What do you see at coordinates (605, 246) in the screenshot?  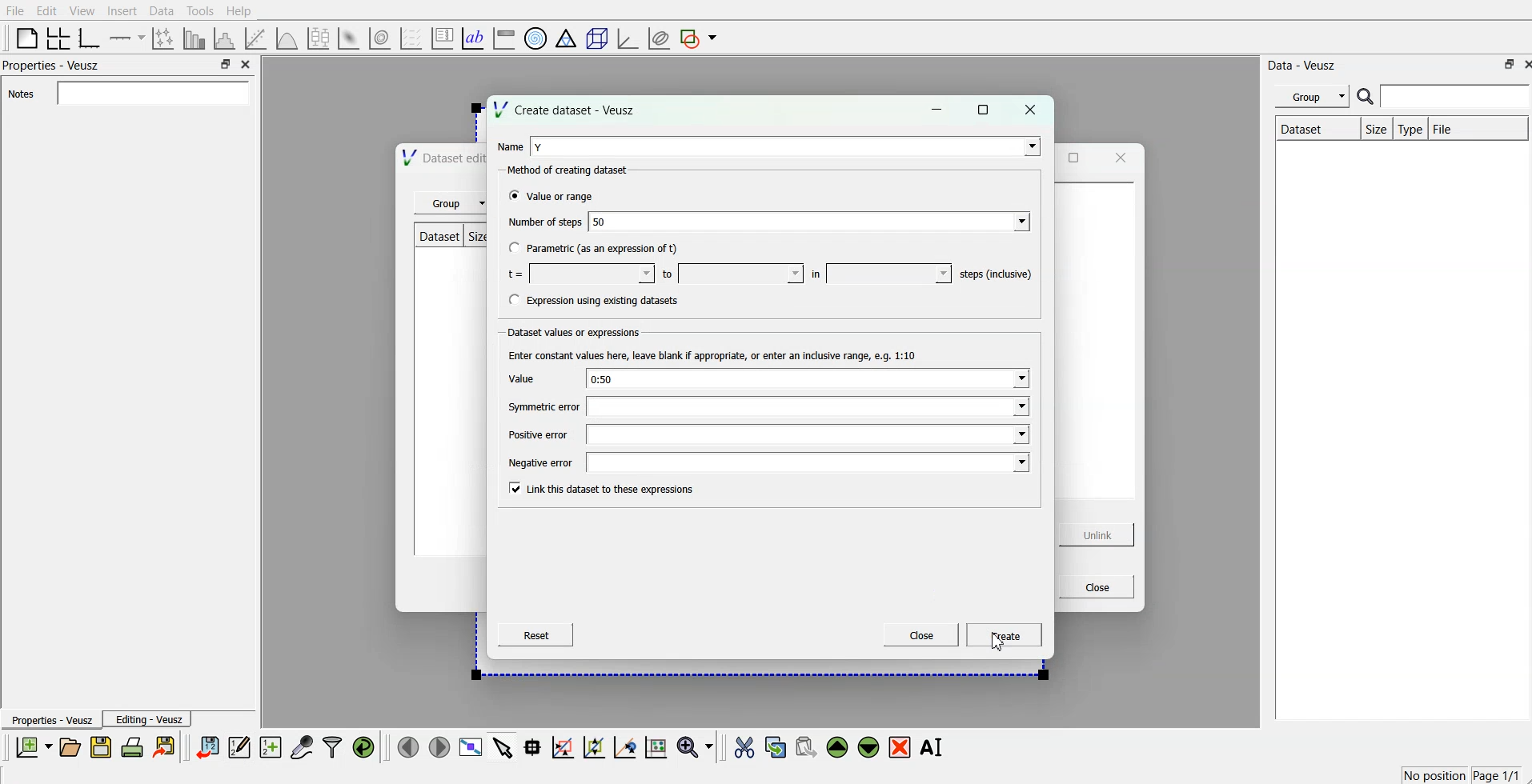 I see `Parametric (as an expression of t)` at bounding box center [605, 246].